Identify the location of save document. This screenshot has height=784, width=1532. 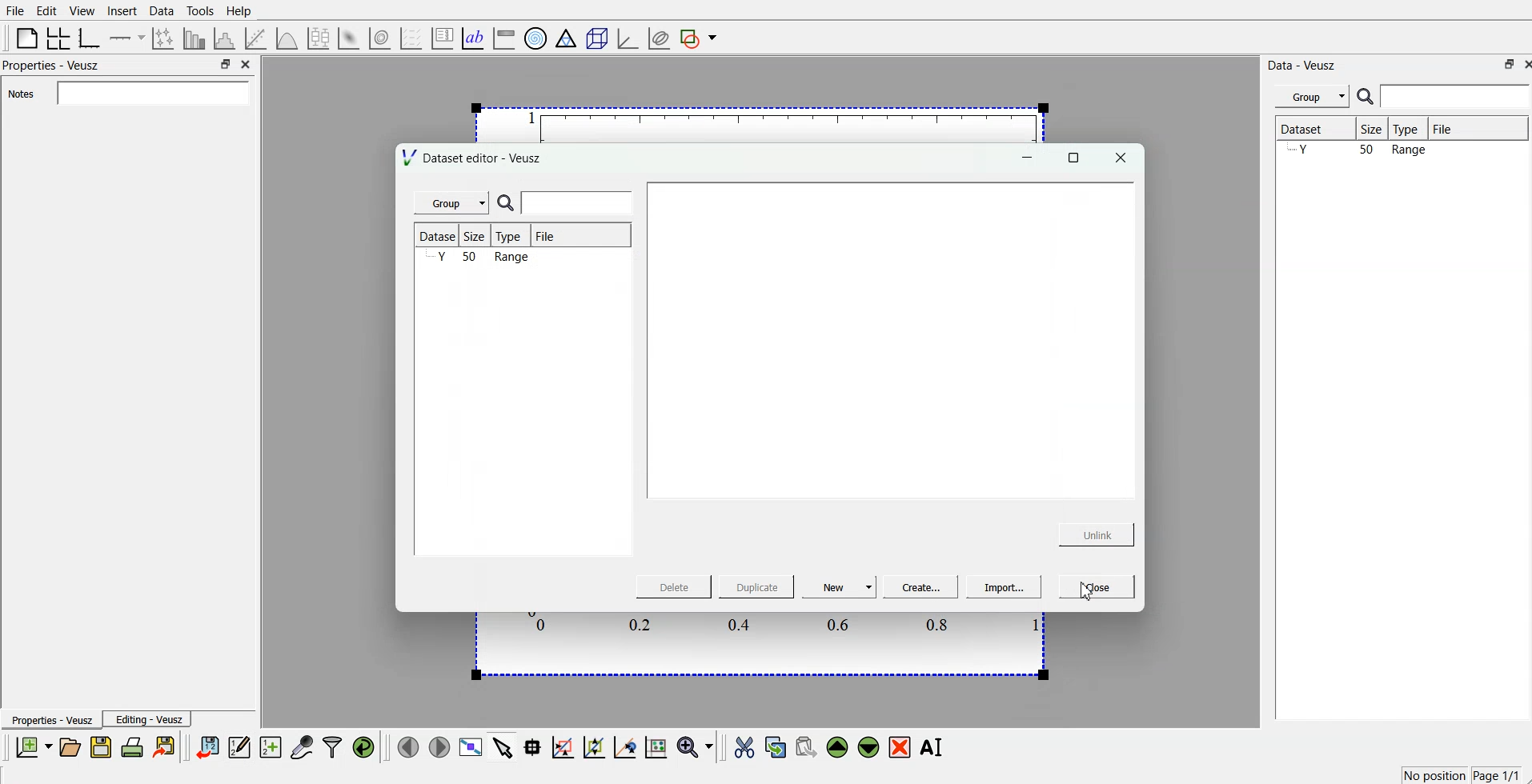
(101, 748).